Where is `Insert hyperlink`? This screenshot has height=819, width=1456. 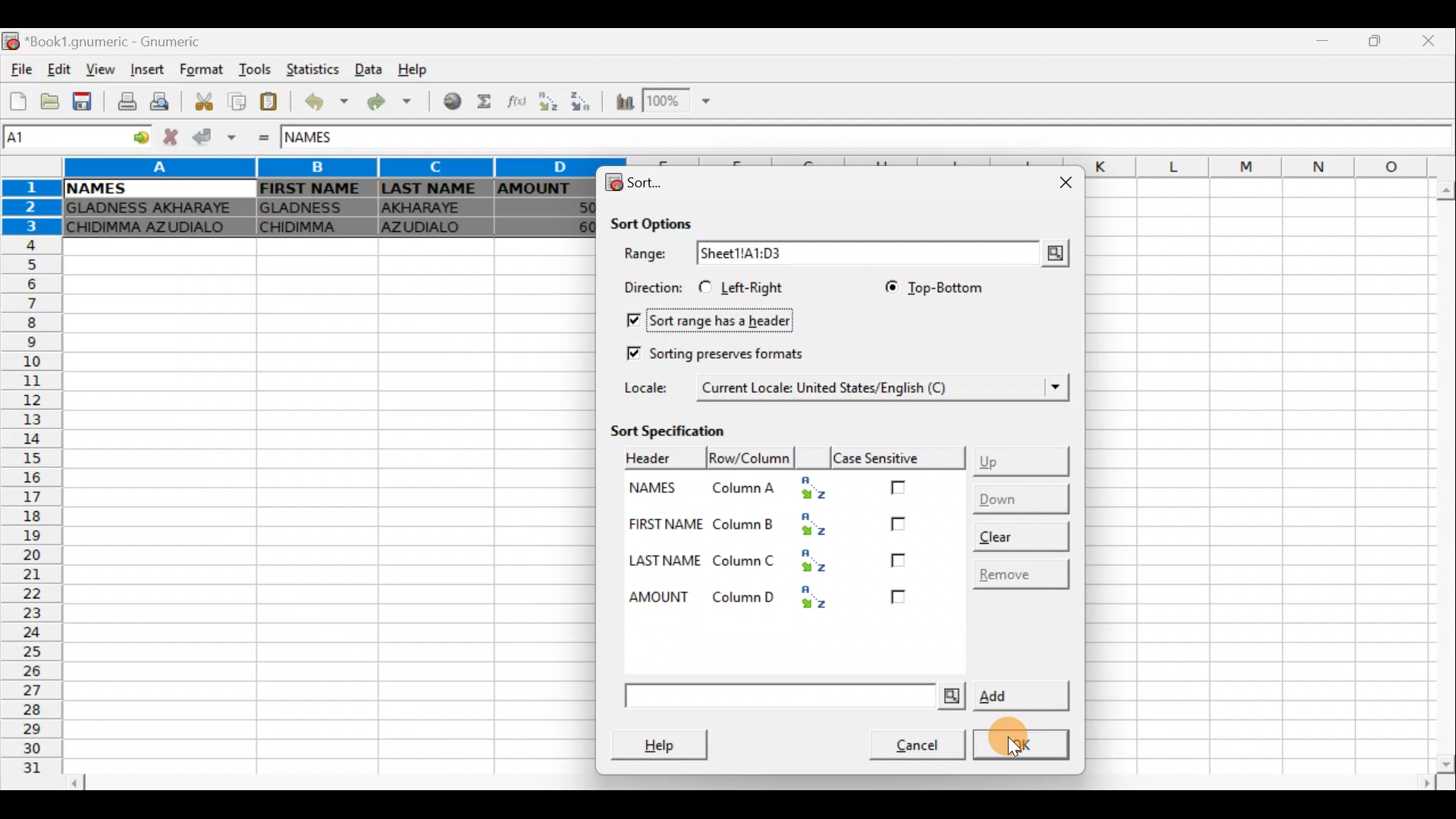 Insert hyperlink is located at coordinates (453, 100).